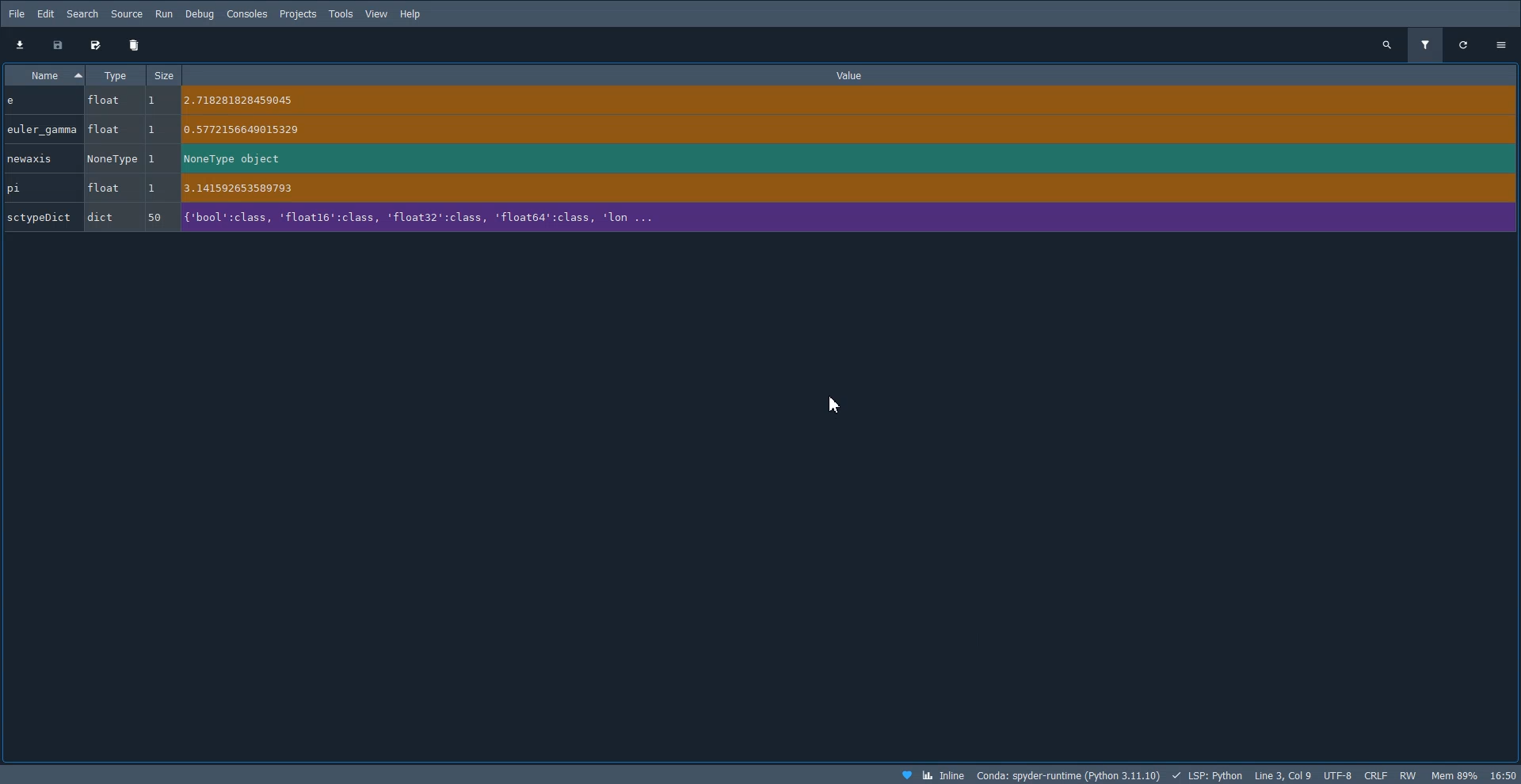  I want to click on Cursor , so click(837, 406).